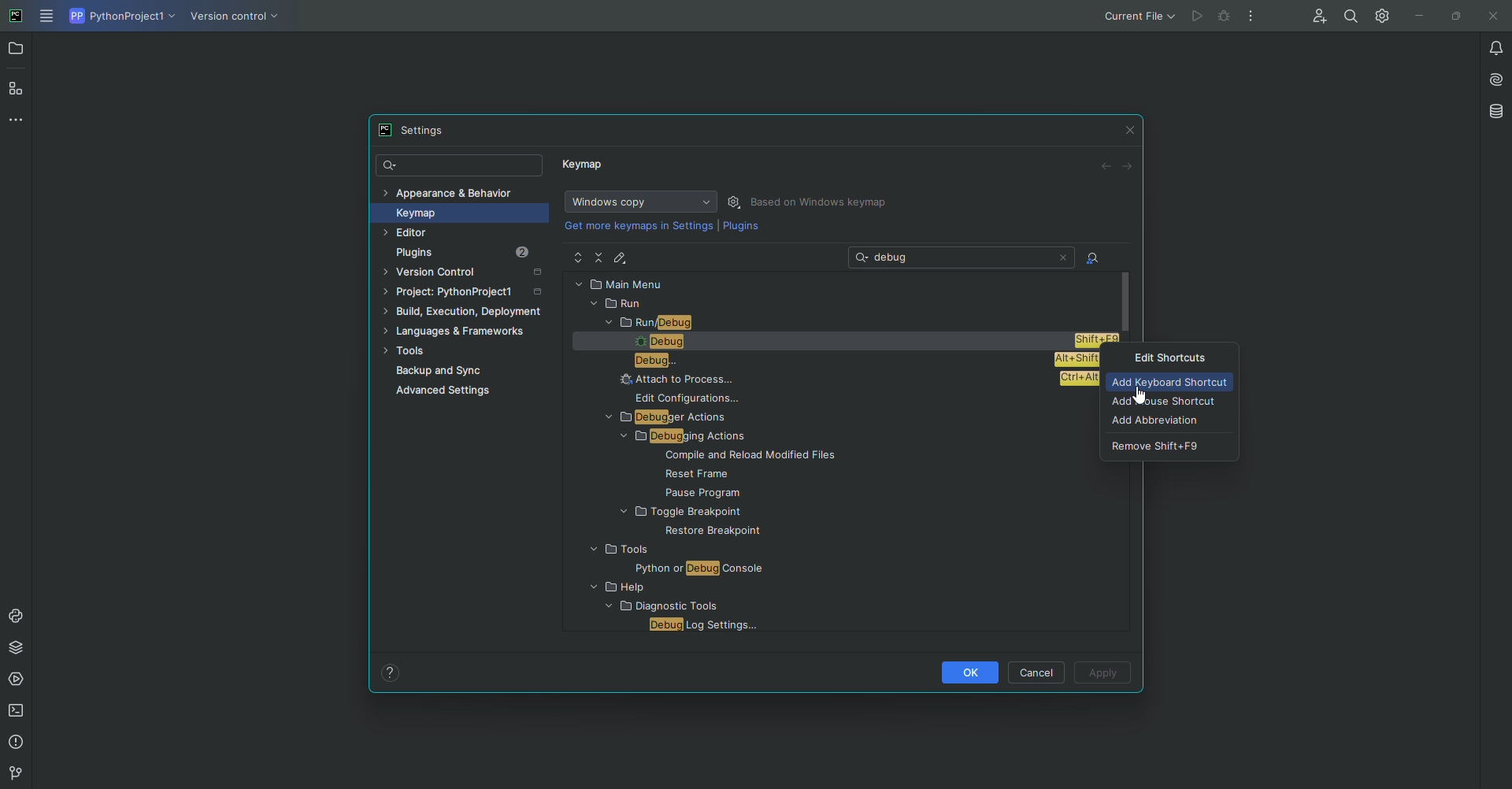 This screenshot has width=1512, height=789. Describe the element at coordinates (840, 304) in the screenshot. I see `RUN` at that location.